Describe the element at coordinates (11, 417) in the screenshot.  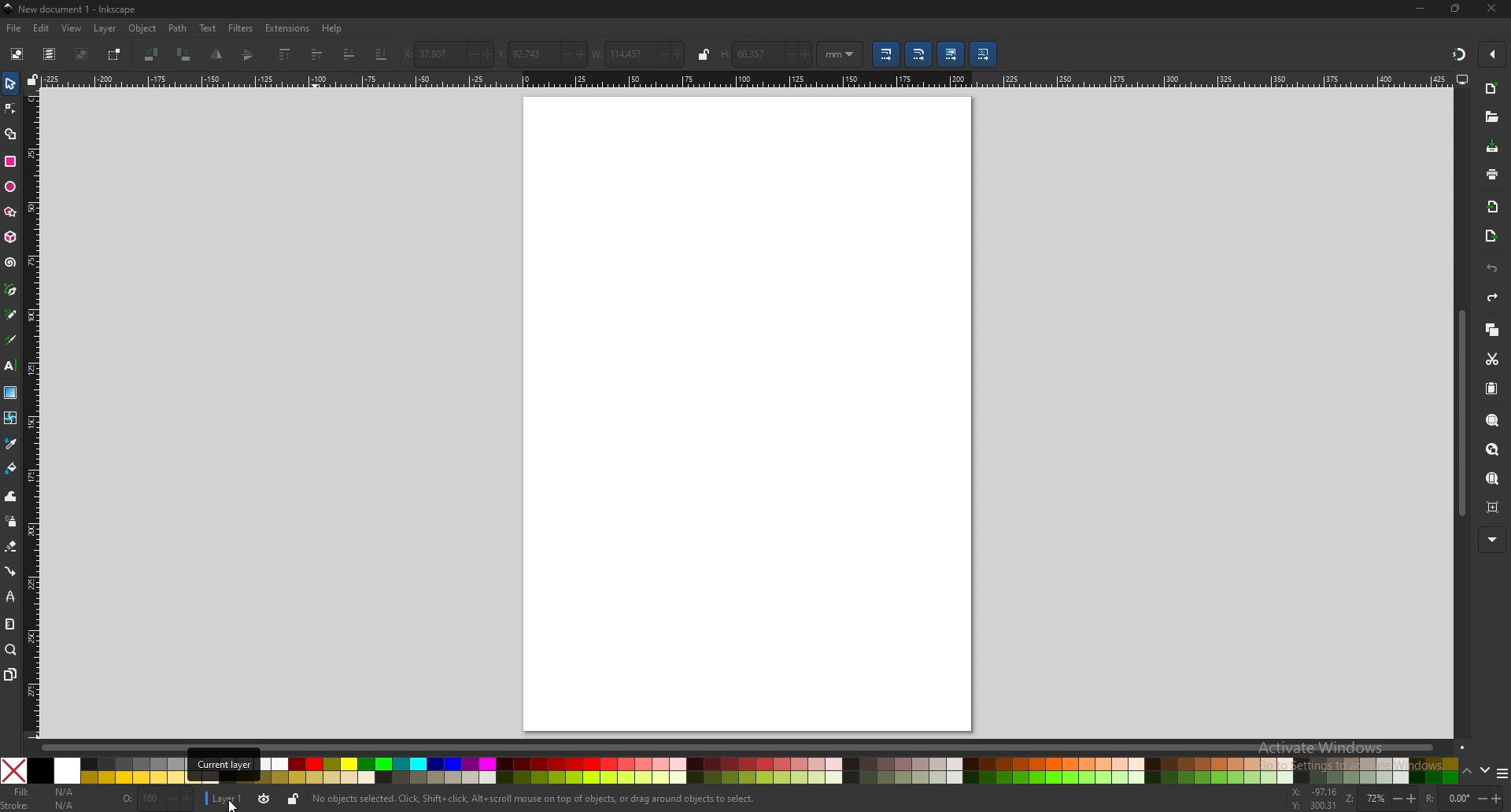
I see `mesh` at that location.